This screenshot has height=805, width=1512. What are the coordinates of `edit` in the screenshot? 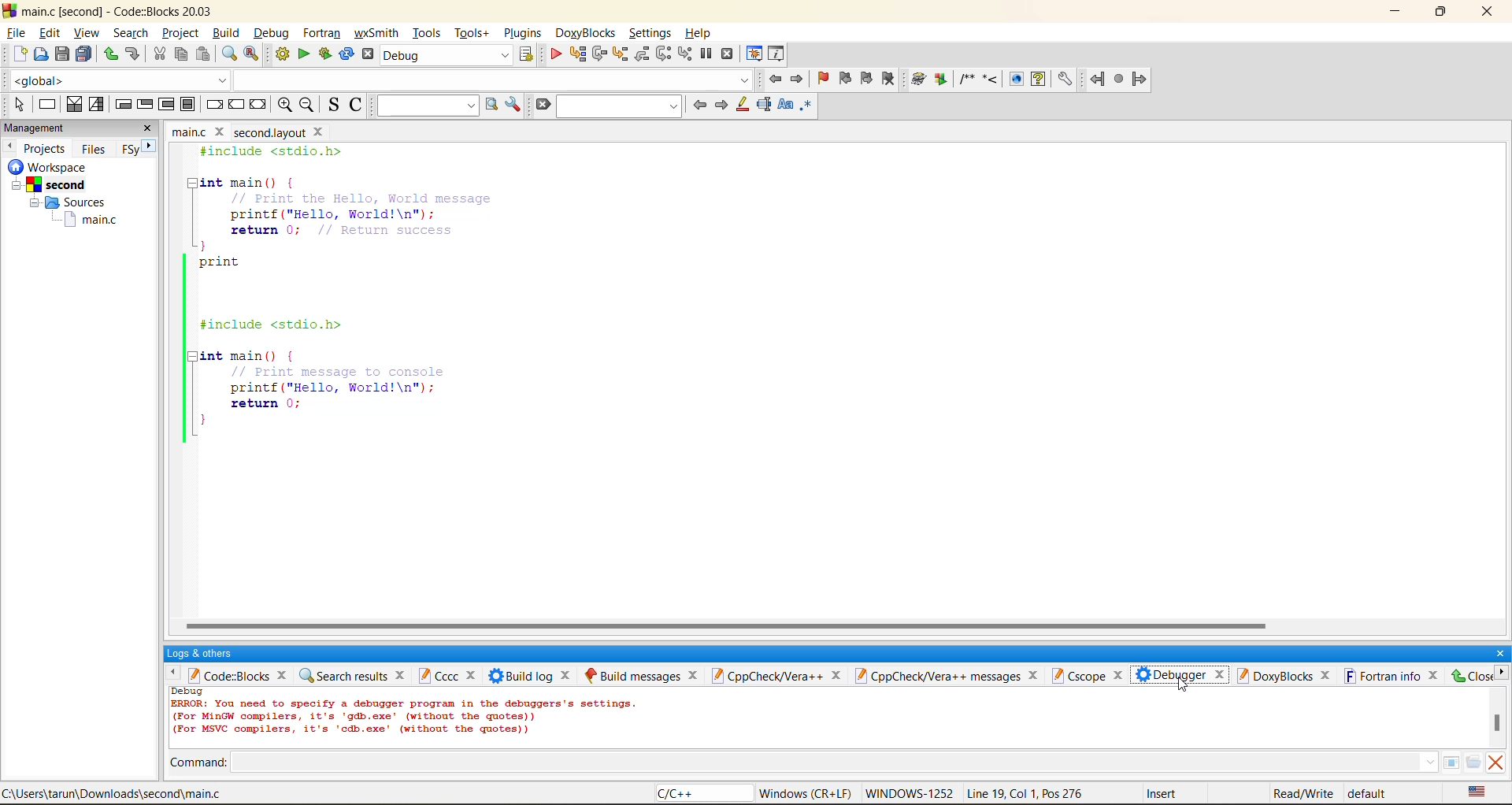 It's located at (50, 31).